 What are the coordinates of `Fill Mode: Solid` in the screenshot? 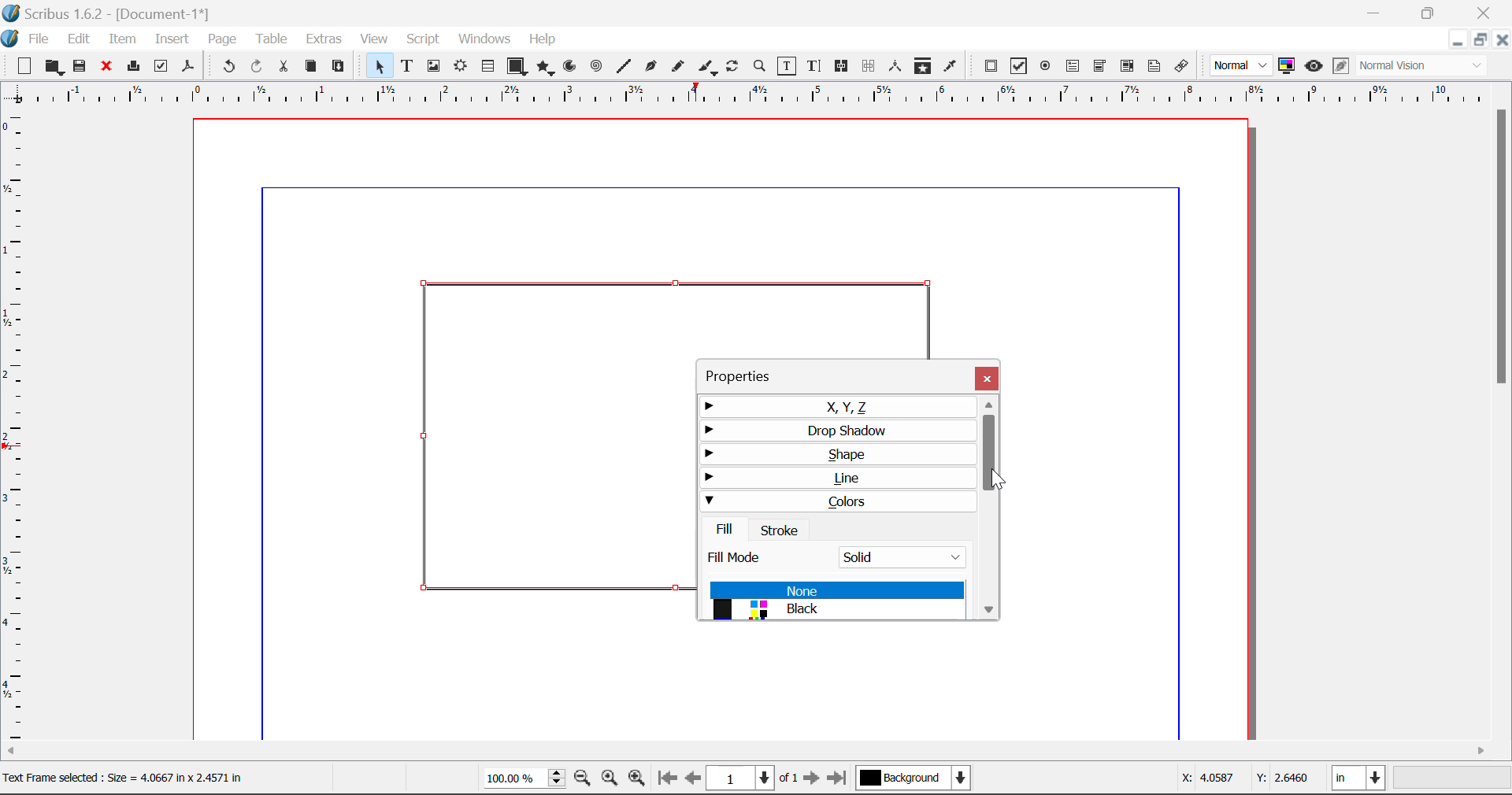 It's located at (840, 556).